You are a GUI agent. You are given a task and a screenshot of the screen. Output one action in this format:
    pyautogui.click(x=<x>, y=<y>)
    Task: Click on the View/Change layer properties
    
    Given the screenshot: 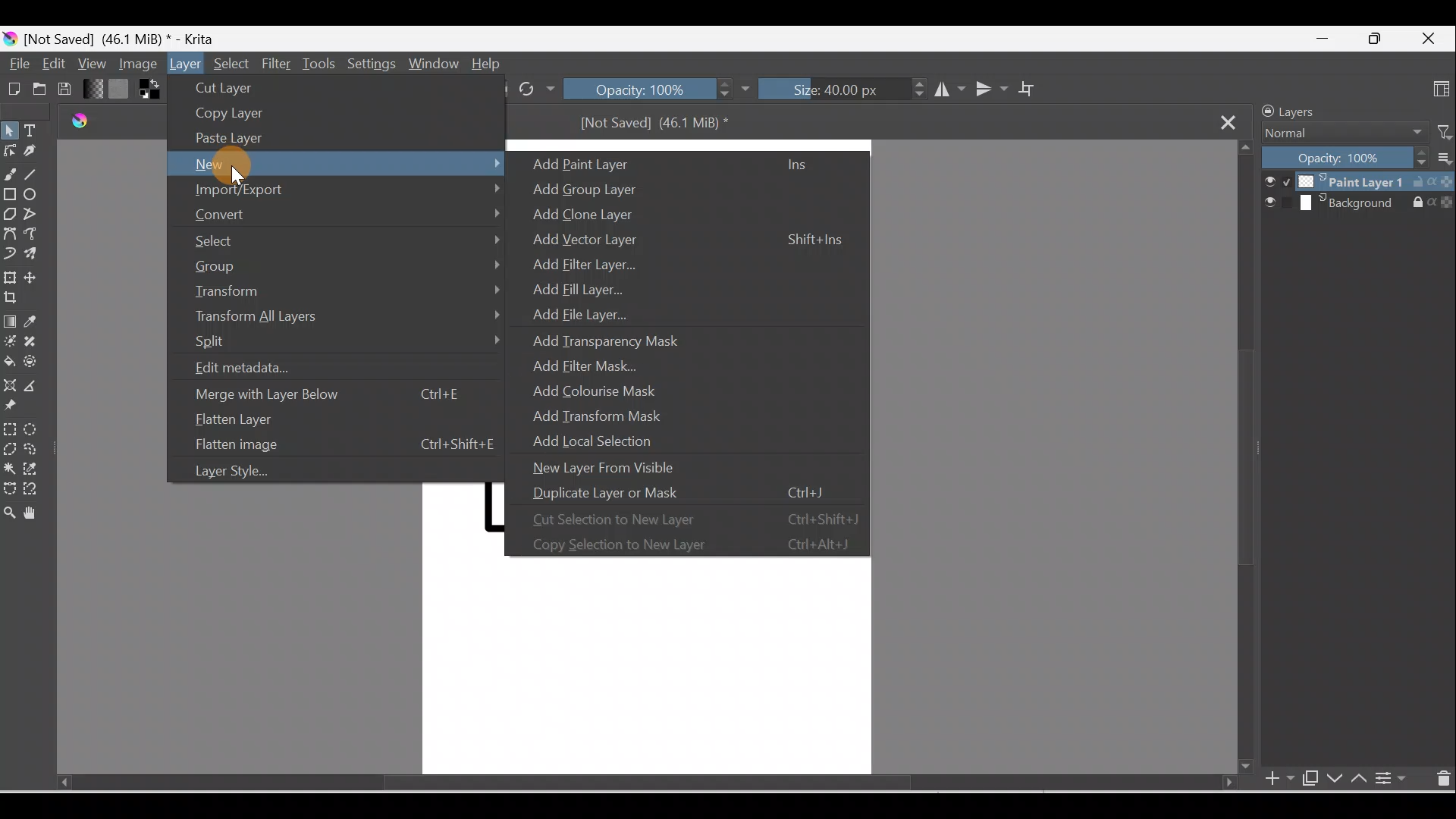 What is the action you would take?
    pyautogui.click(x=1394, y=779)
    